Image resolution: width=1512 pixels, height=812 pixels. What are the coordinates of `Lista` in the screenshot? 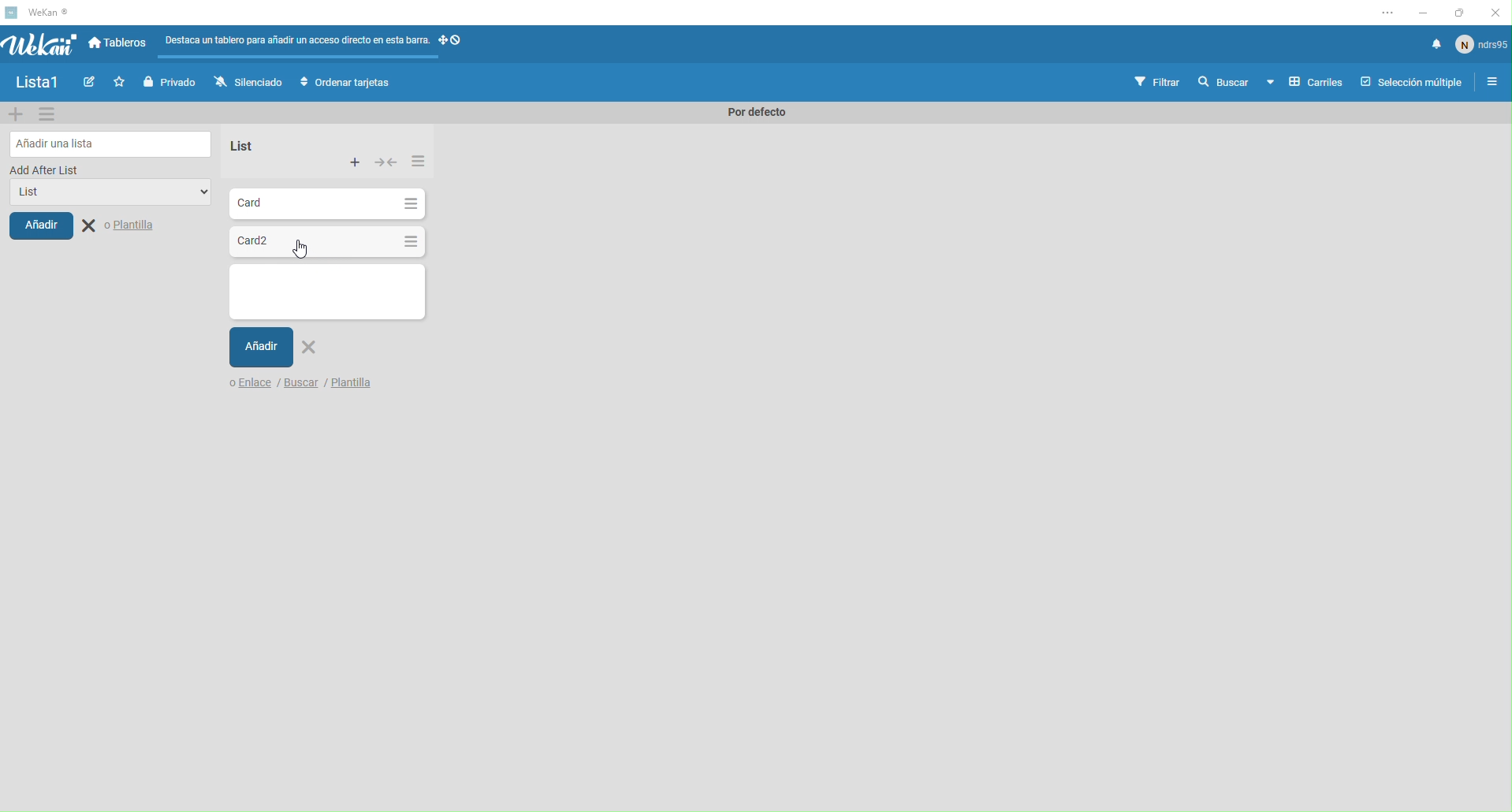 It's located at (325, 291).